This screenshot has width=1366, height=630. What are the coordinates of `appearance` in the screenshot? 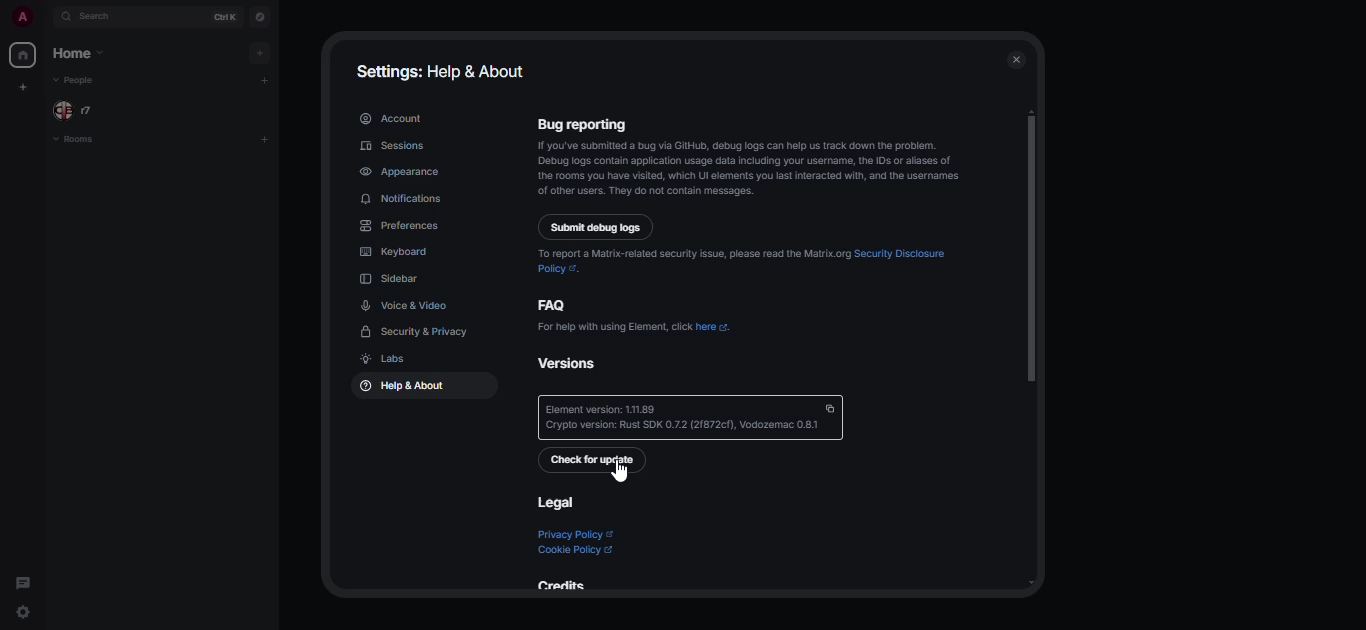 It's located at (402, 171).